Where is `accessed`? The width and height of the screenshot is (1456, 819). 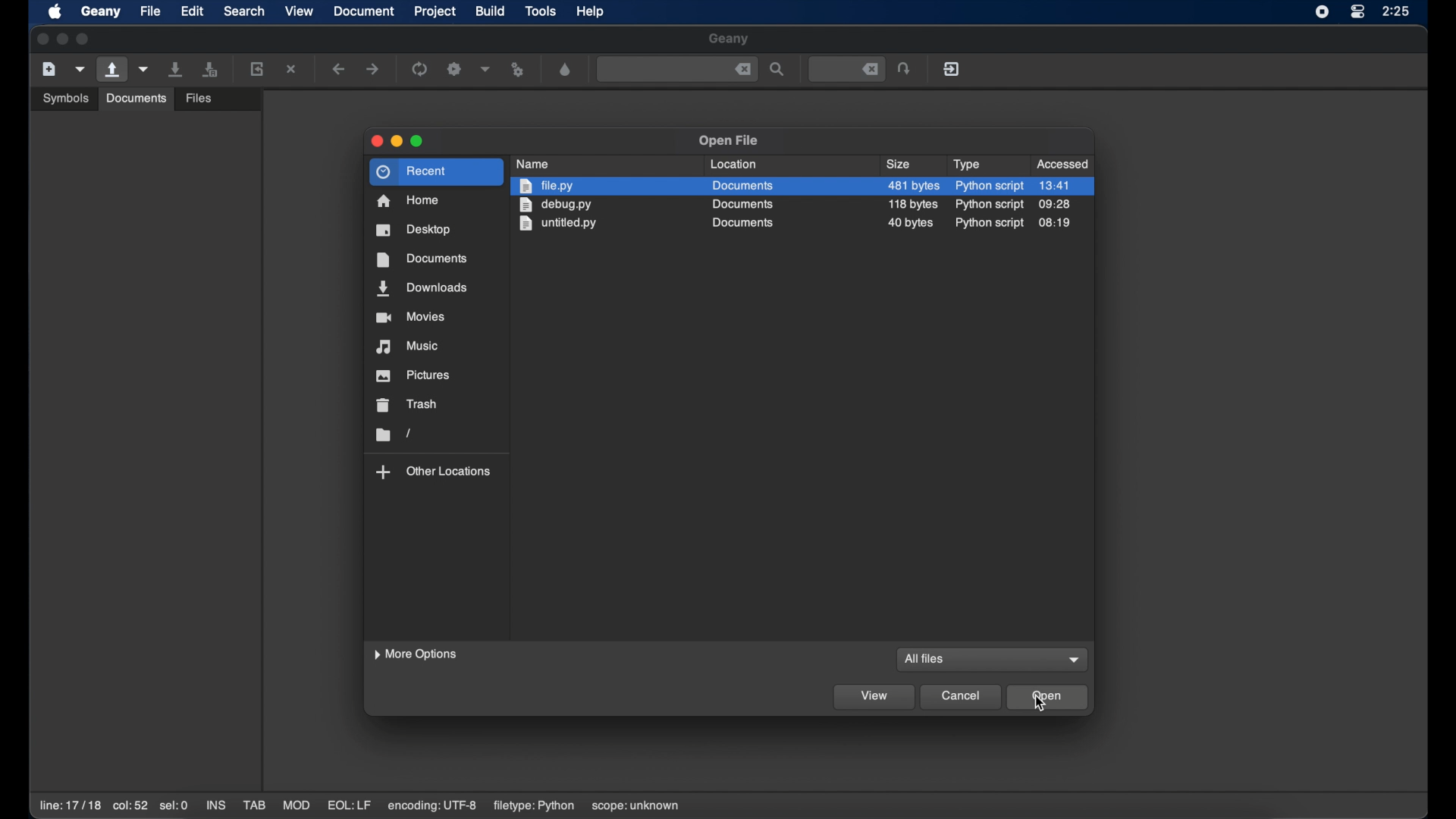
accessed is located at coordinates (1063, 165).